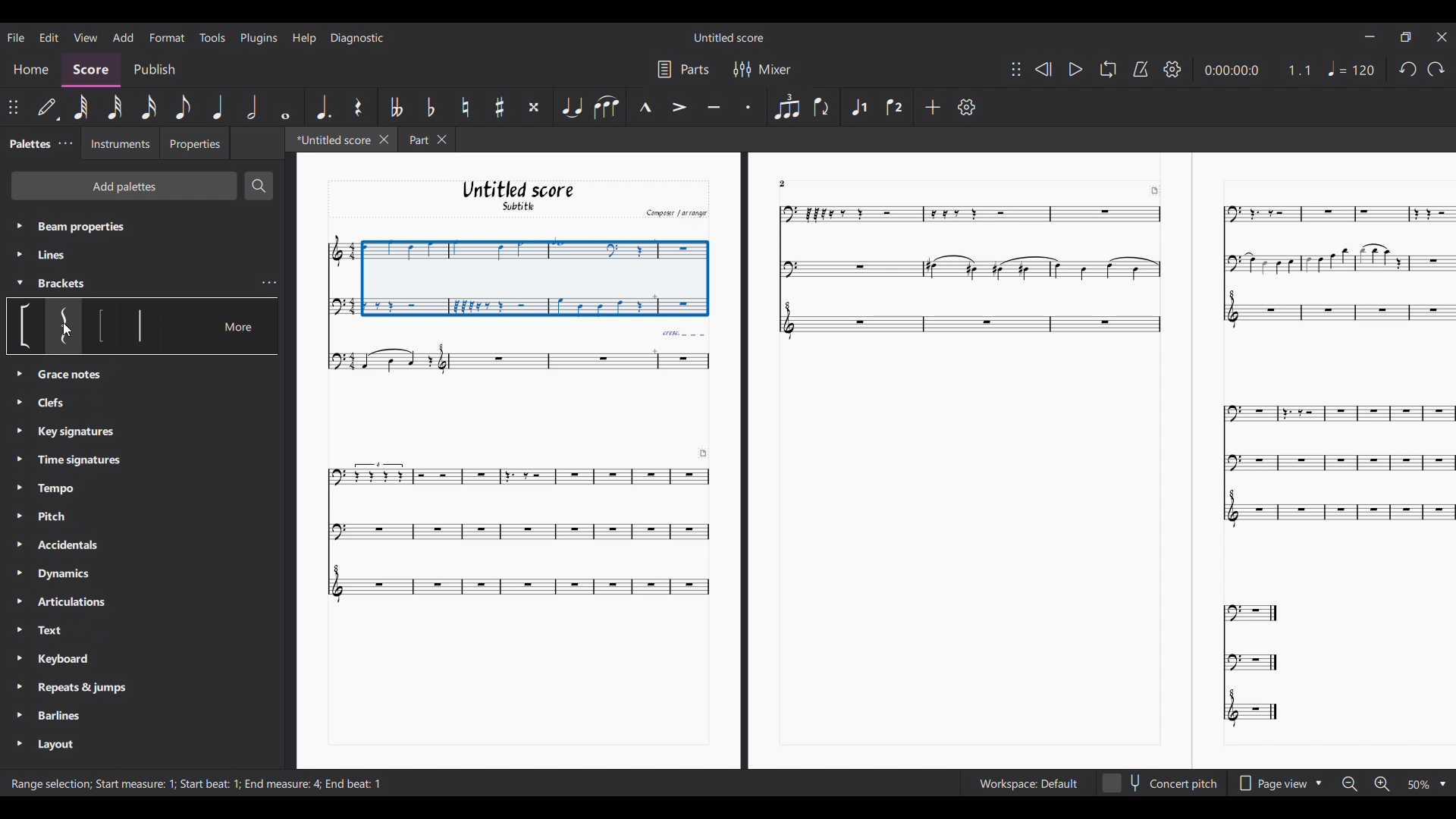 The width and height of the screenshot is (1456, 819). Describe the element at coordinates (219, 107) in the screenshot. I see `Quarter note` at that location.